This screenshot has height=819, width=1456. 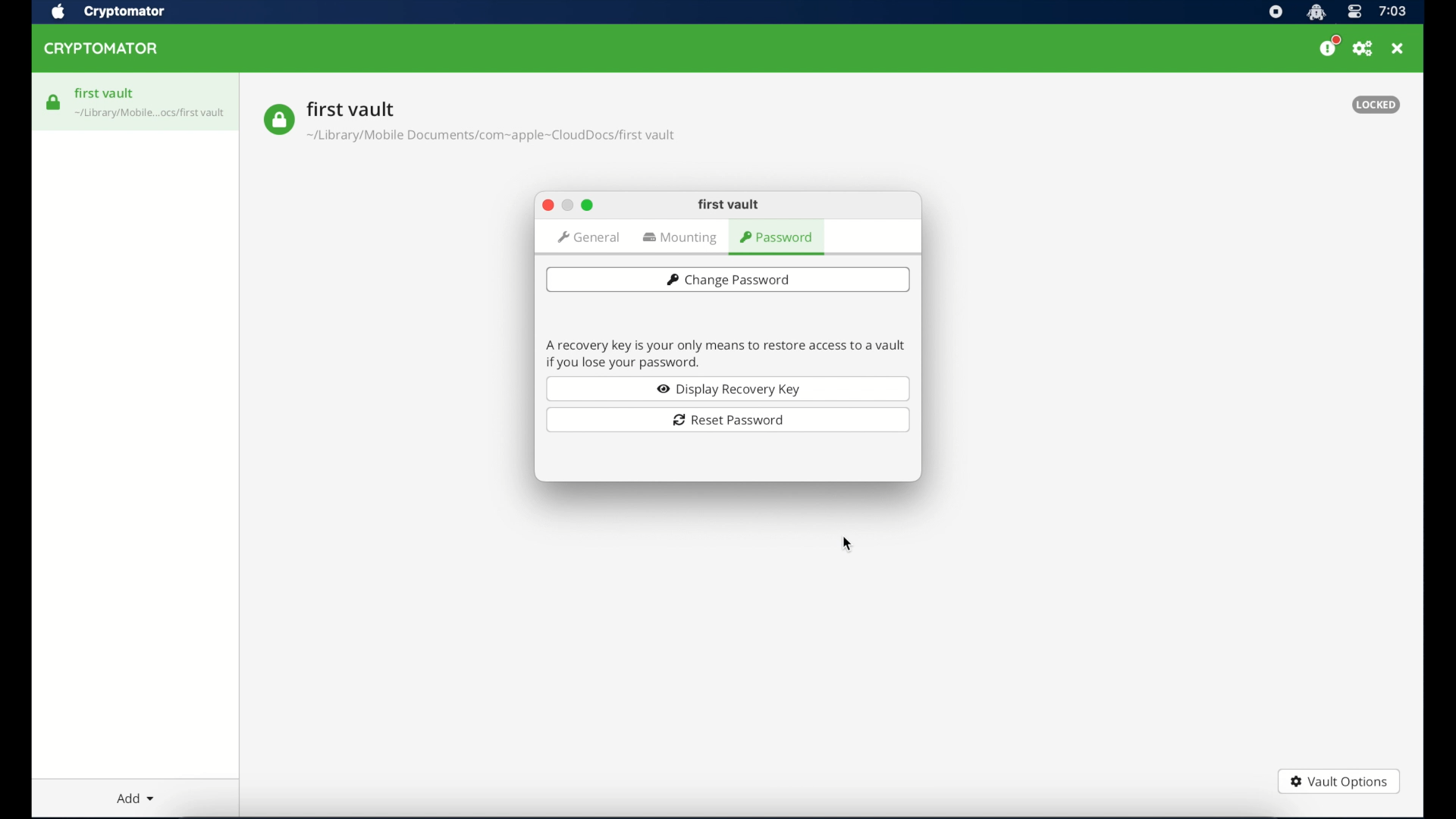 I want to click on preferences, so click(x=1363, y=49).